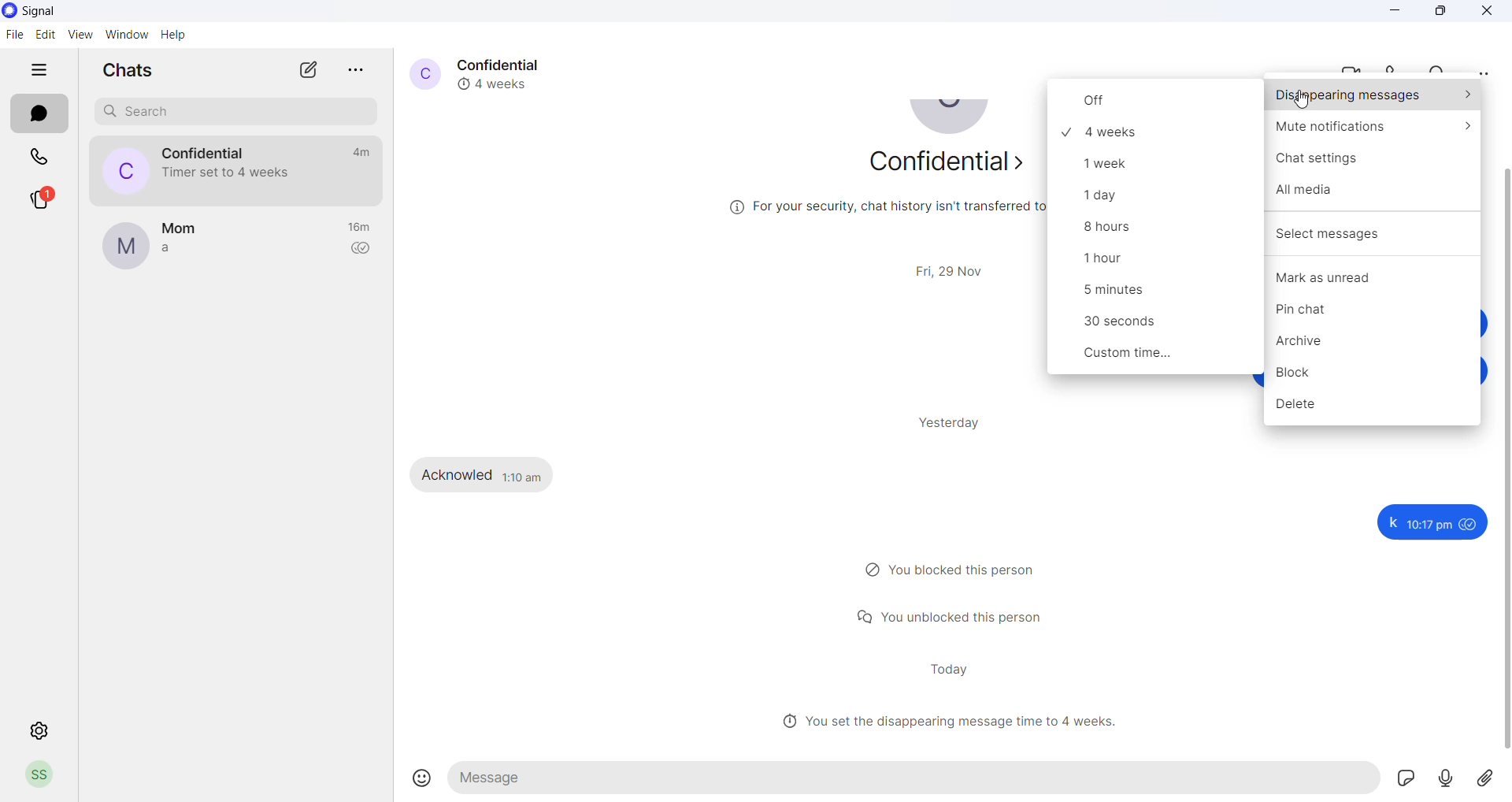 The height and width of the screenshot is (802, 1512). Describe the element at coordinates (41, 732) in the screenshot. I see `settings` at that location.